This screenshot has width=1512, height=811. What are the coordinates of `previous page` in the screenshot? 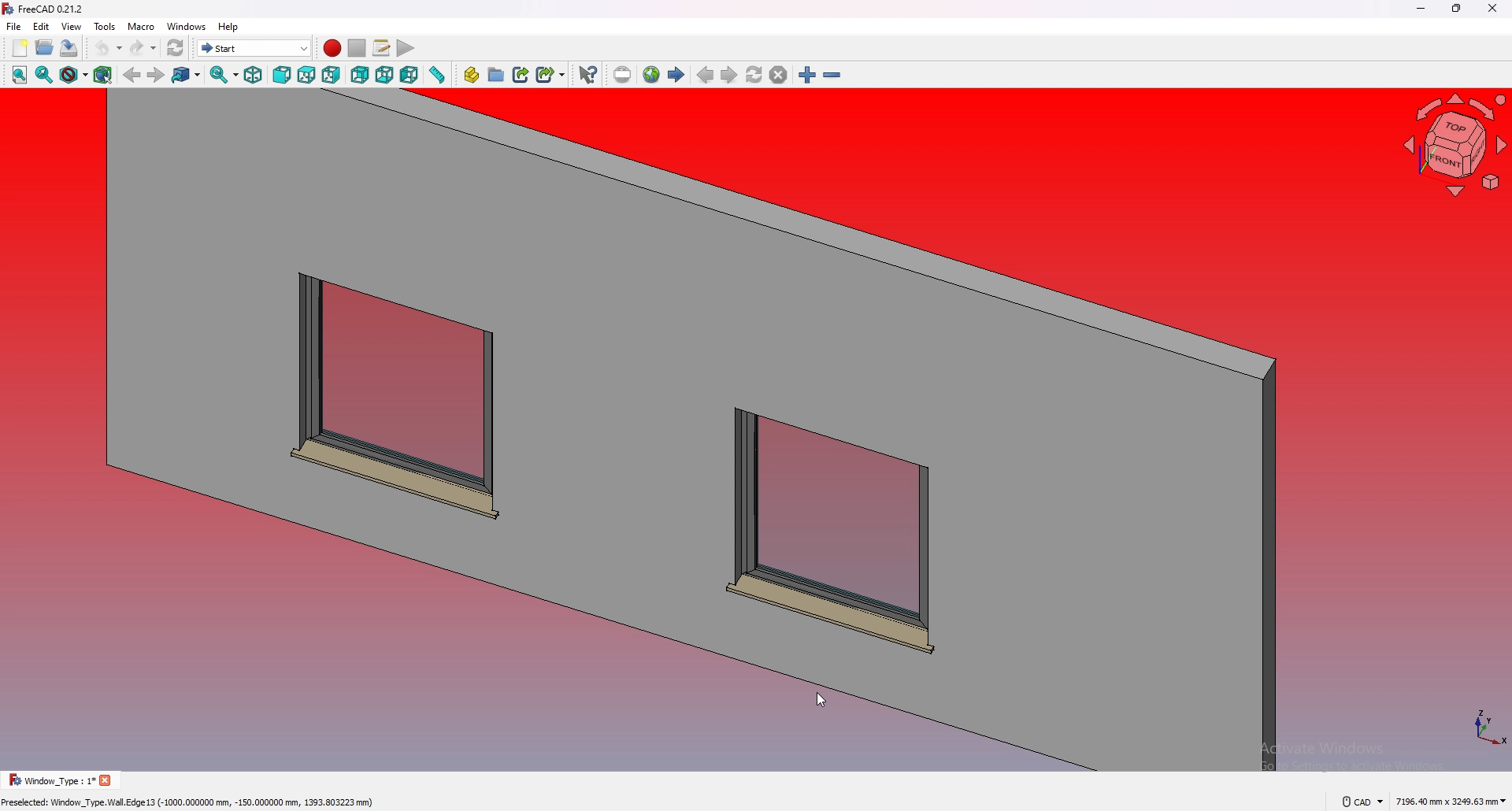 It's located at (706, 76).